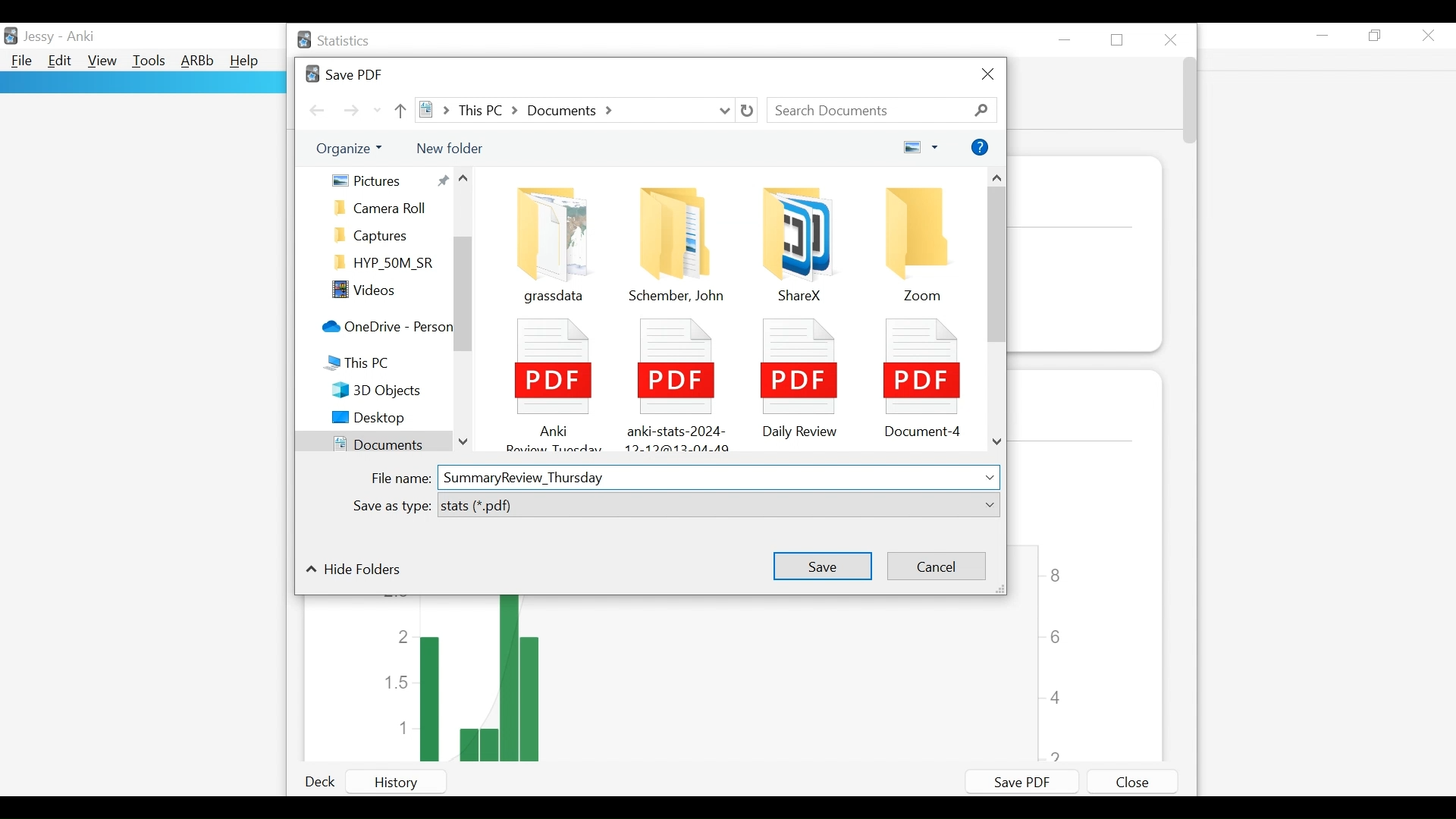  I want to click on Close, so click(1172, 37).